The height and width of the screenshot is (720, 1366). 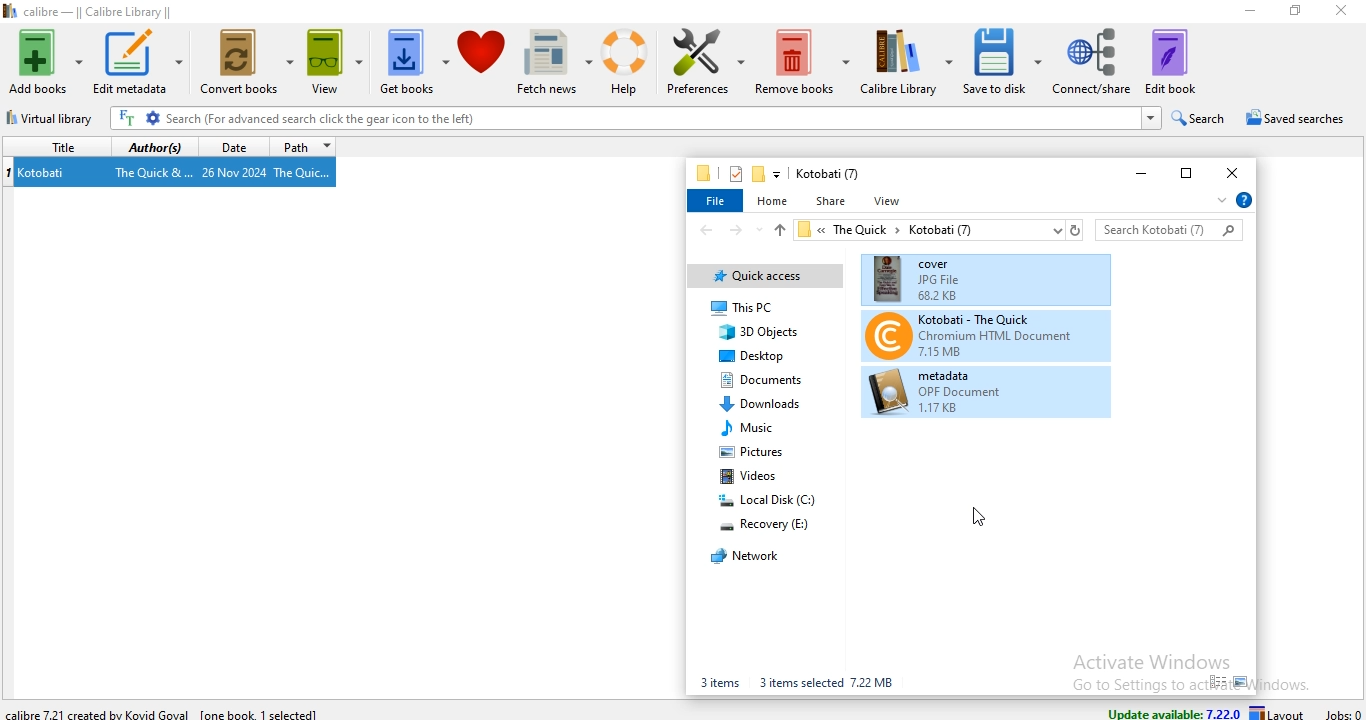 What do you see at coordinates (43, 173) in the screenshot?
I see `Kotobati` at bounding box center [43, 173].